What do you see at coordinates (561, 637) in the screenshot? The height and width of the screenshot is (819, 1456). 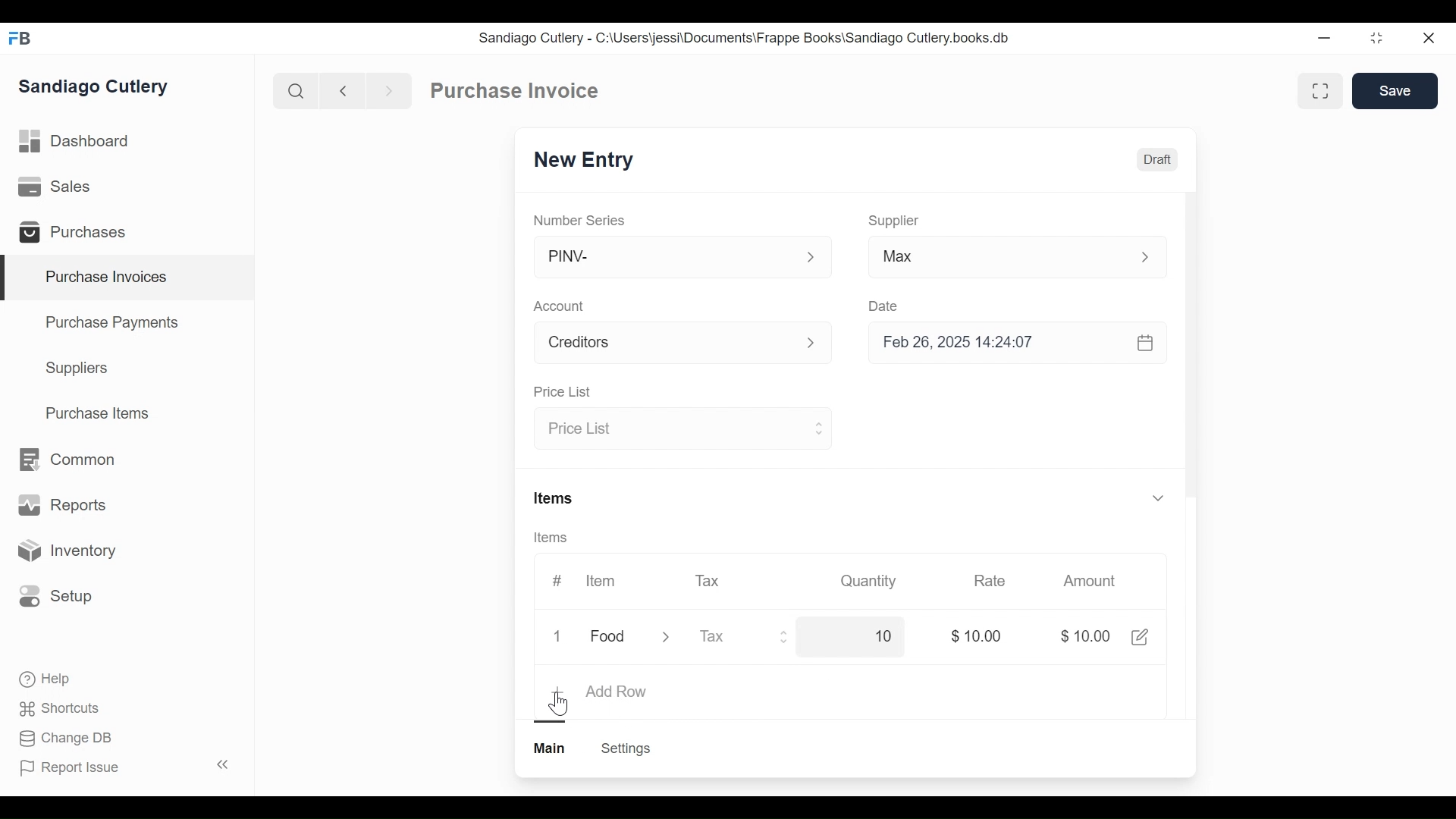 I see `close` at bounding box center [561, 637].